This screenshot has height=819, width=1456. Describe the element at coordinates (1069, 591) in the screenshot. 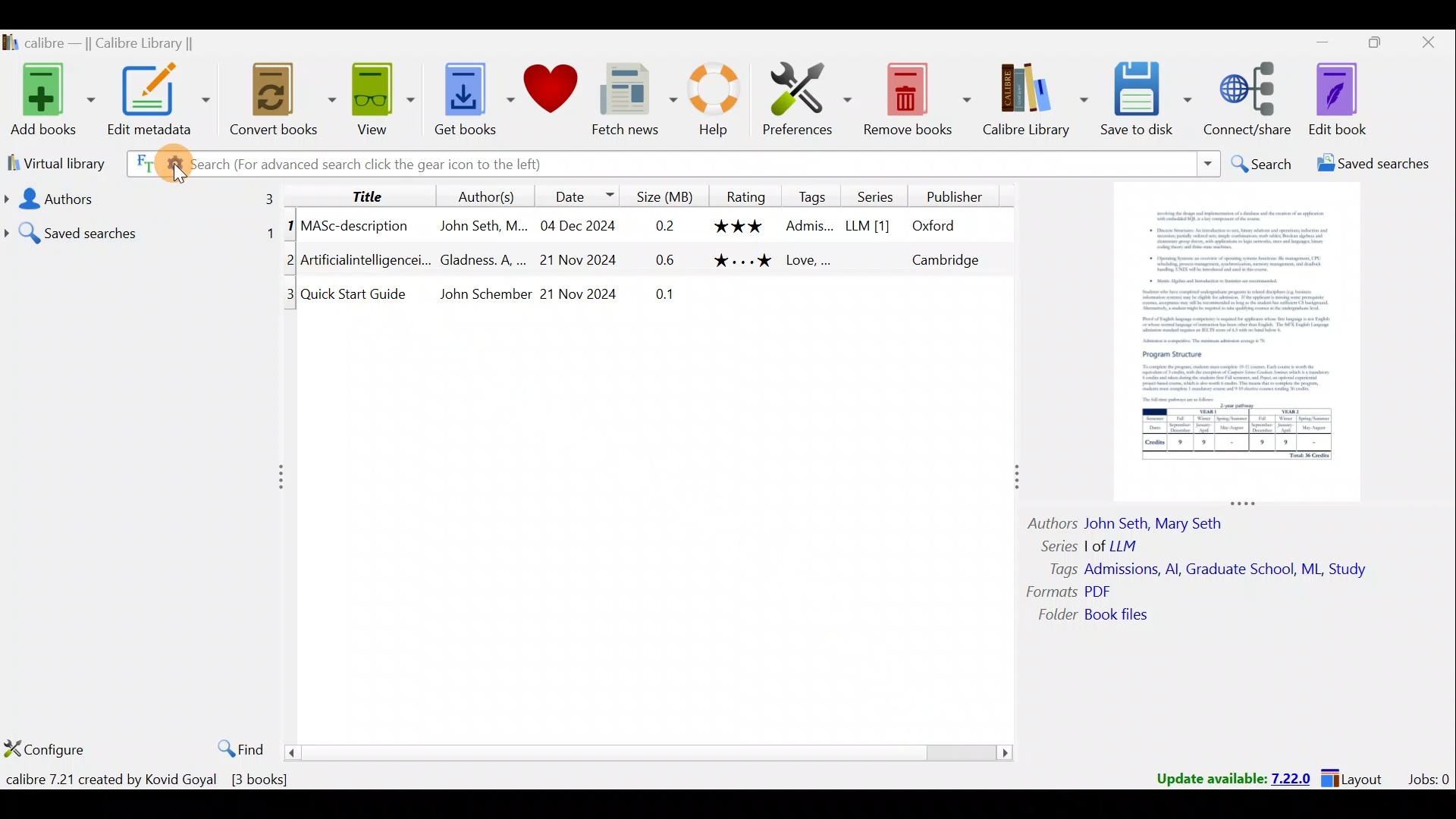

I see `Formats PDF` at that location.